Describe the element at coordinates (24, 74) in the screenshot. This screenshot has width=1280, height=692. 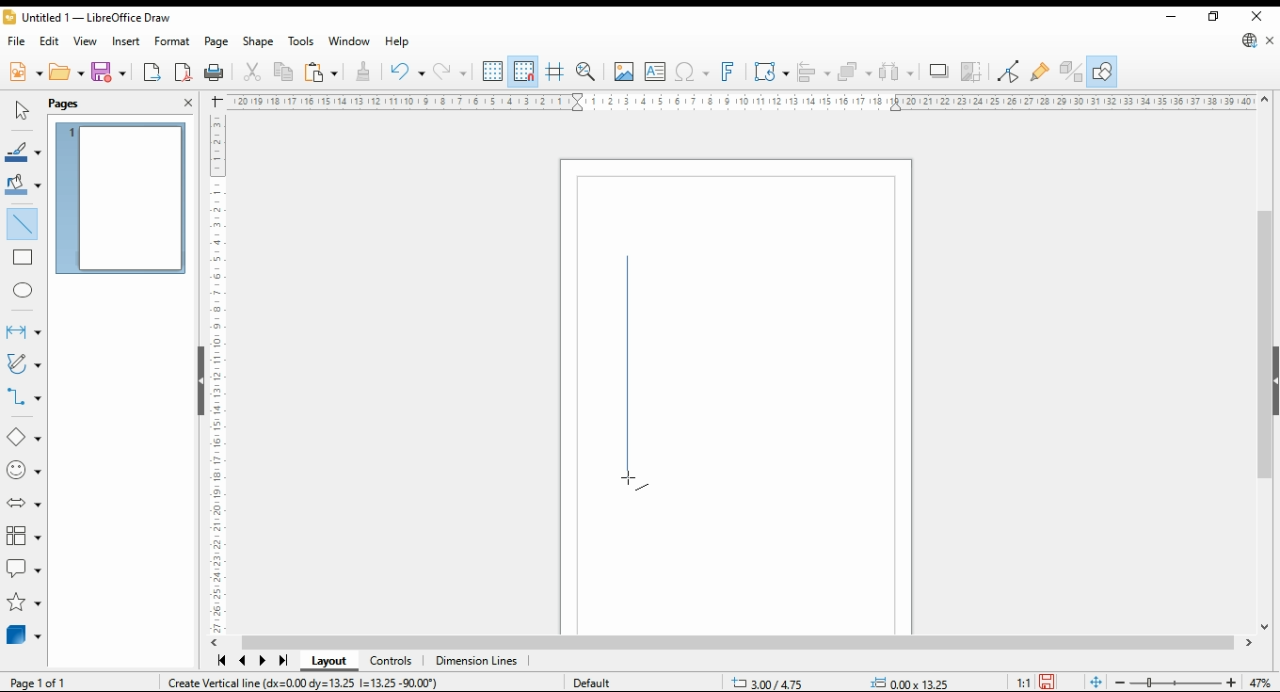
I see `new` at that location.